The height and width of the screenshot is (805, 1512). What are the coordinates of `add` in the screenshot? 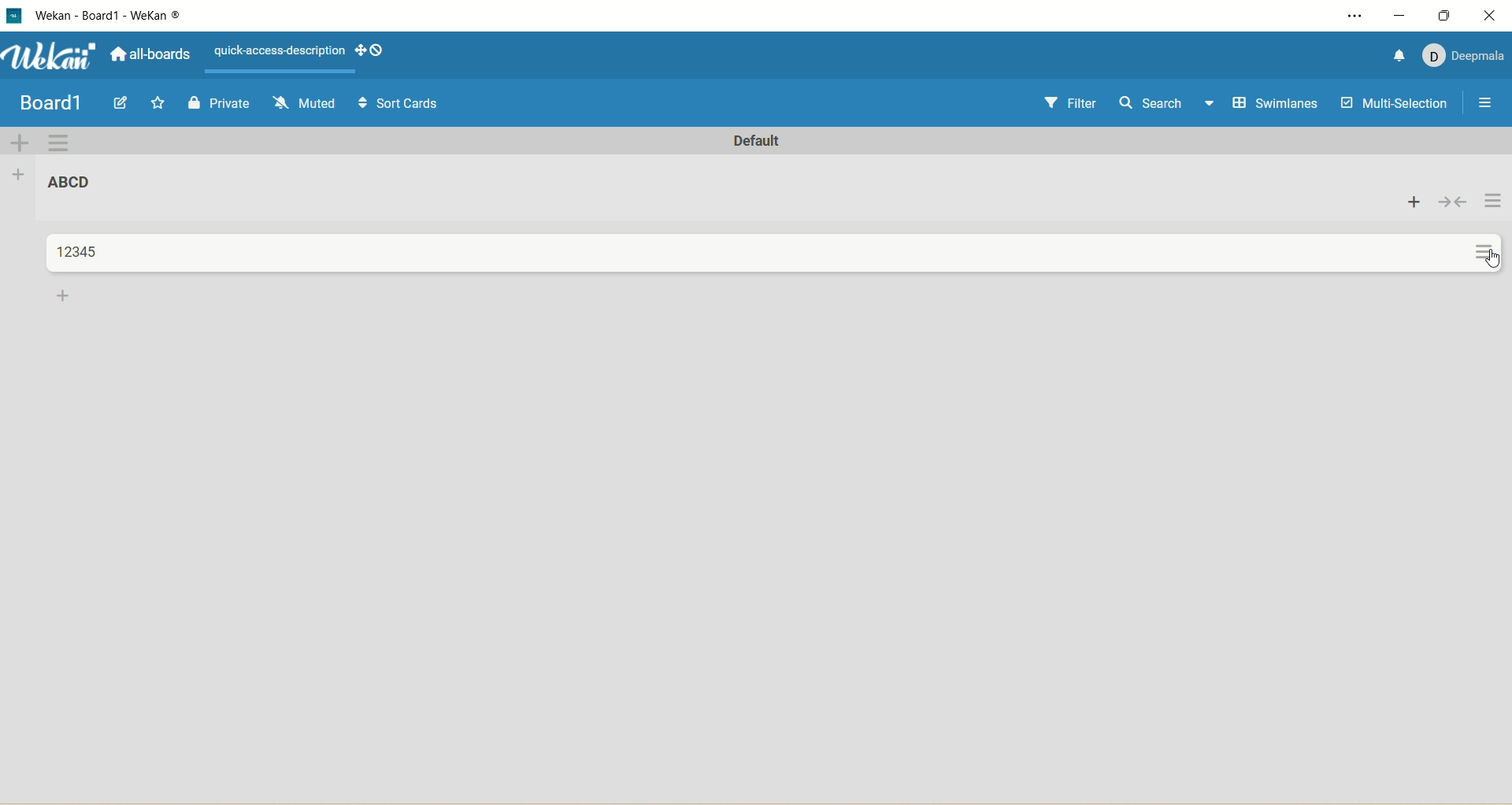 It's located at (1415, 201).